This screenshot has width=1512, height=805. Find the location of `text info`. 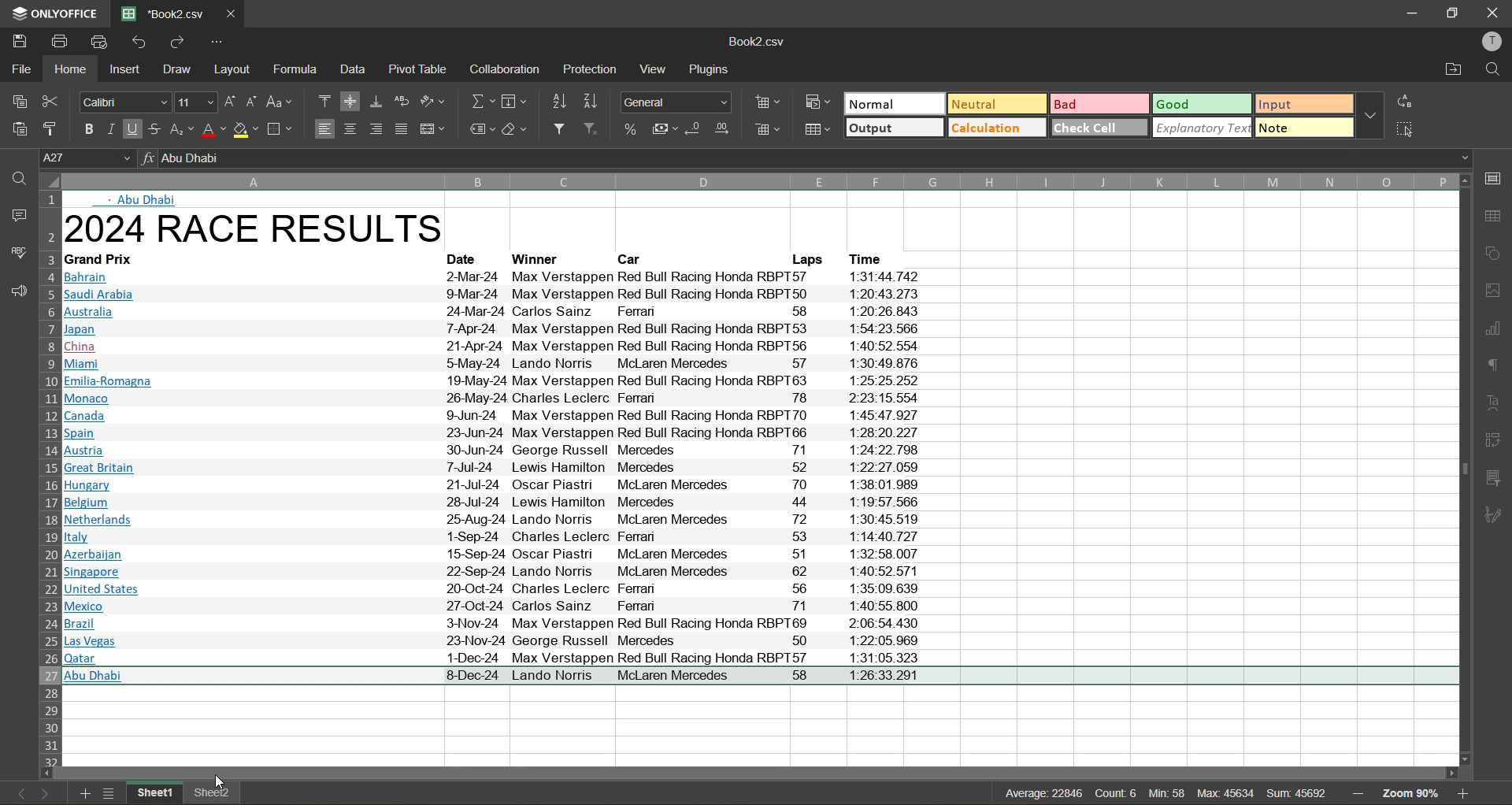

text info is located at coordinates (495, 414).